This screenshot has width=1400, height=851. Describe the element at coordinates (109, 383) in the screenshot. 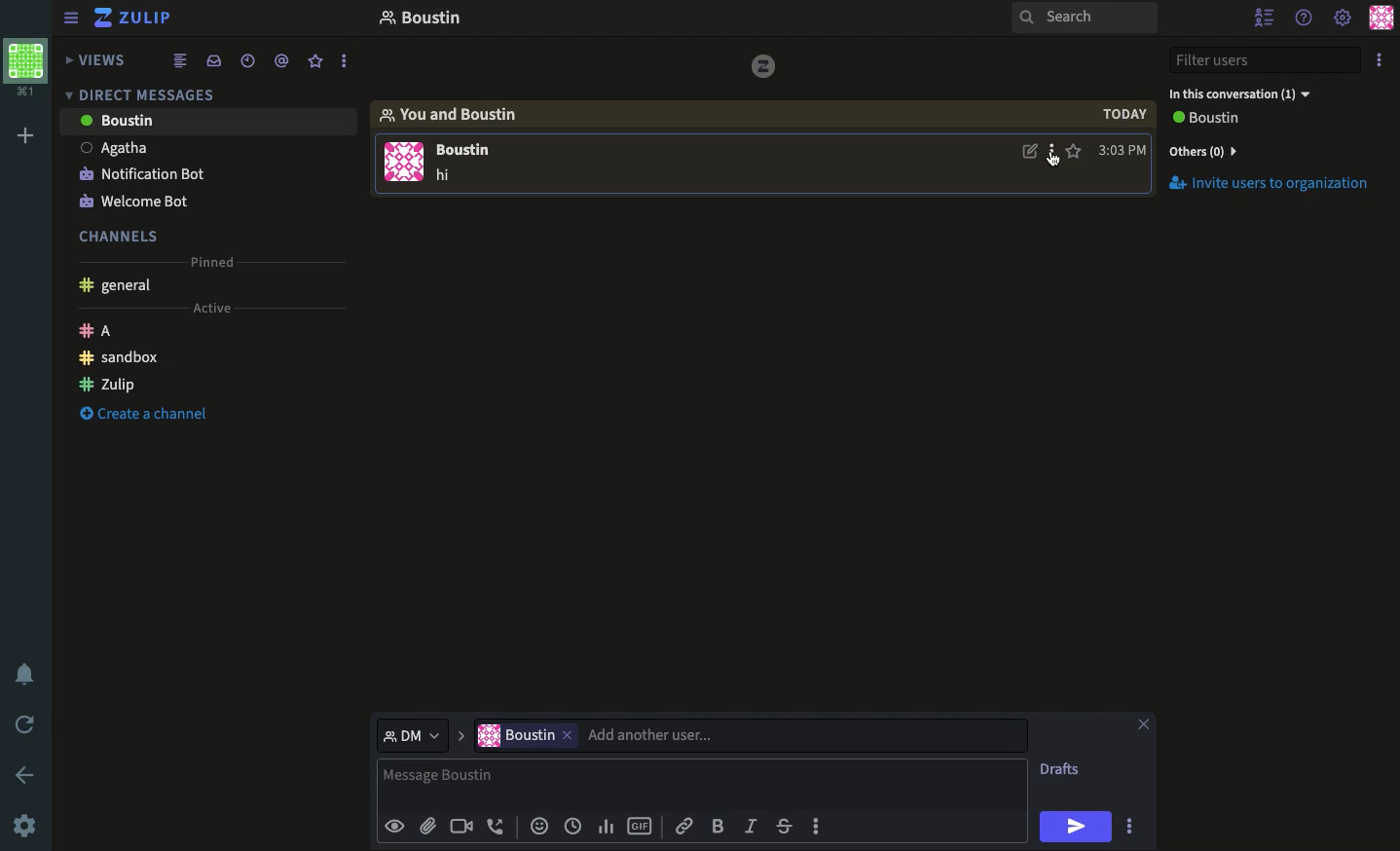

I see `Zulip` at that location.